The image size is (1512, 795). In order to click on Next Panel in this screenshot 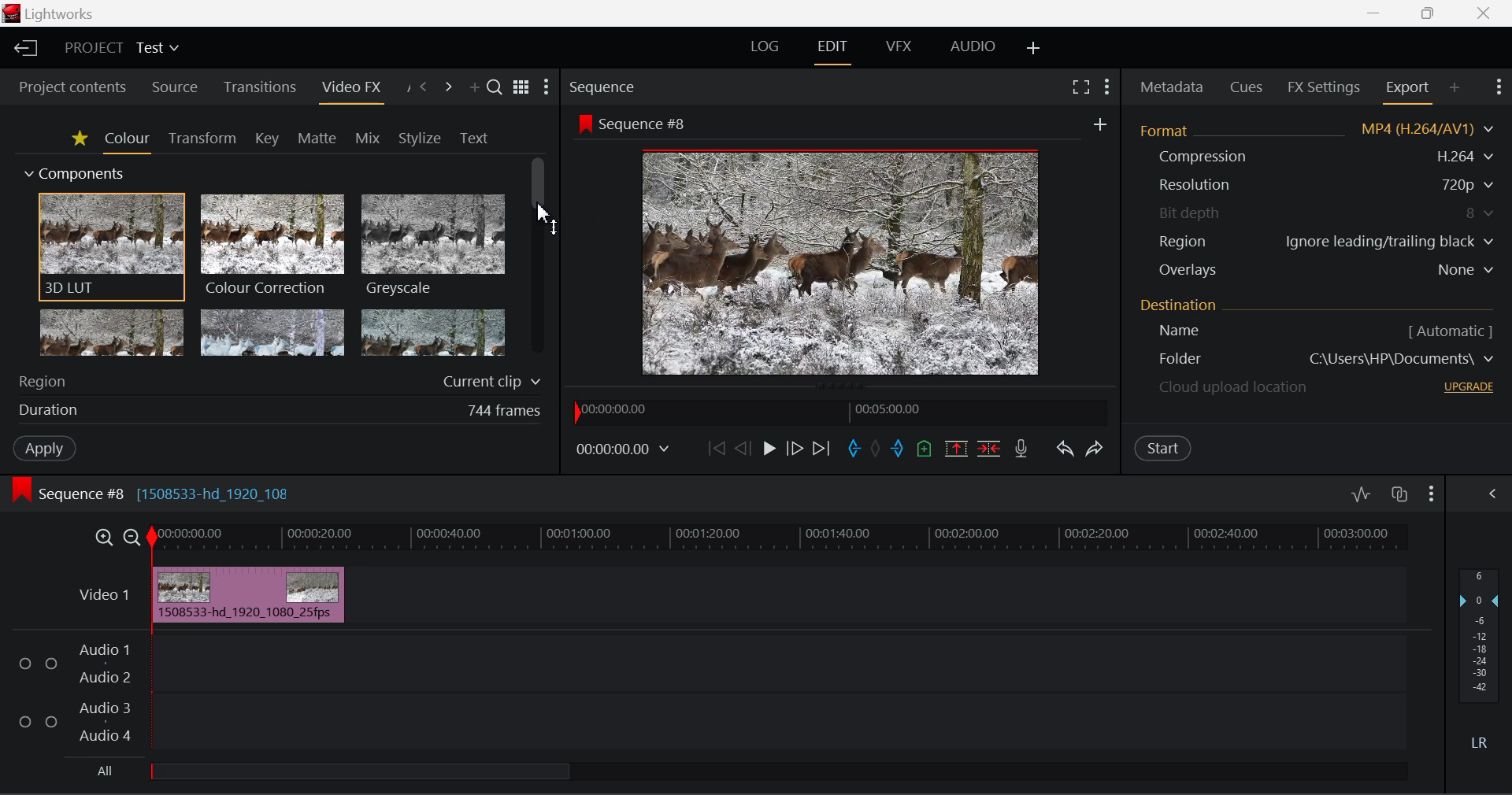, I will do `click(448, 86)`.